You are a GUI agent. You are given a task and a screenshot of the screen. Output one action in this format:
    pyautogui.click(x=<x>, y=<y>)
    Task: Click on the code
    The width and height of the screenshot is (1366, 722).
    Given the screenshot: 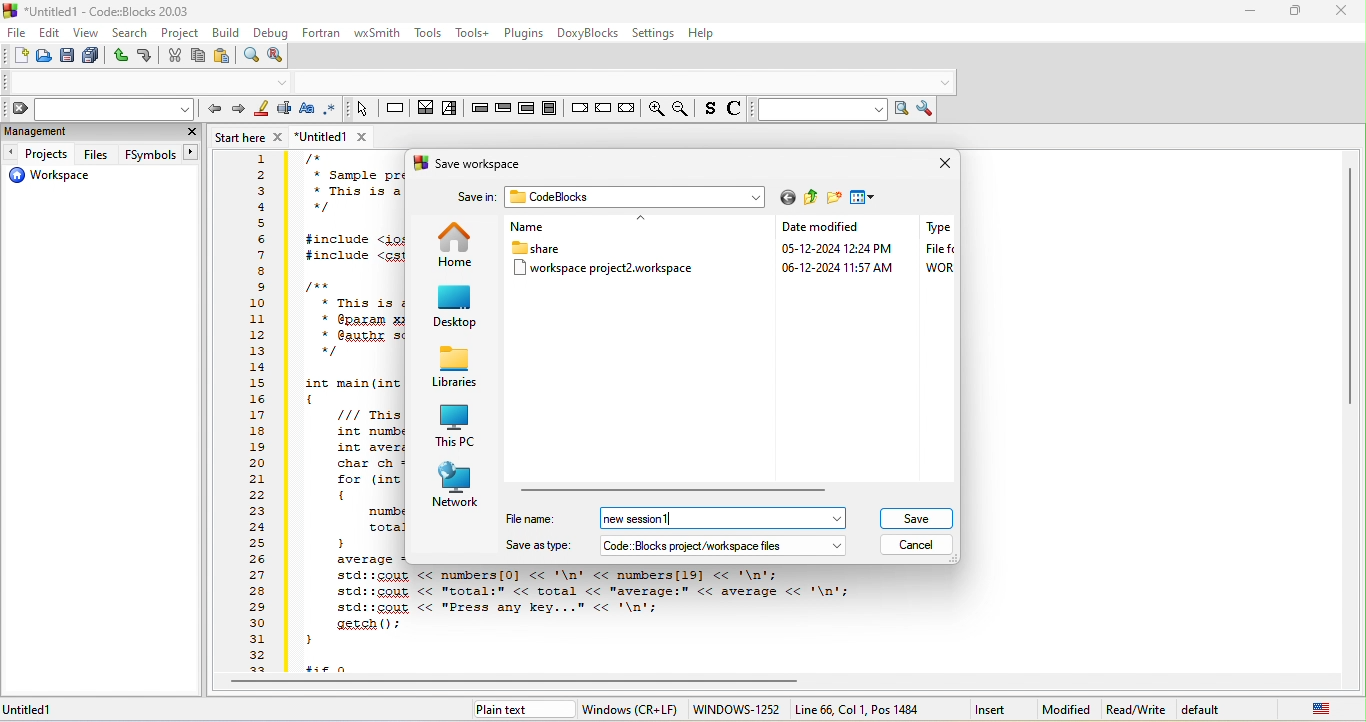 What is the action you would take?
    pyautogui.click(x=348, y=356)
    